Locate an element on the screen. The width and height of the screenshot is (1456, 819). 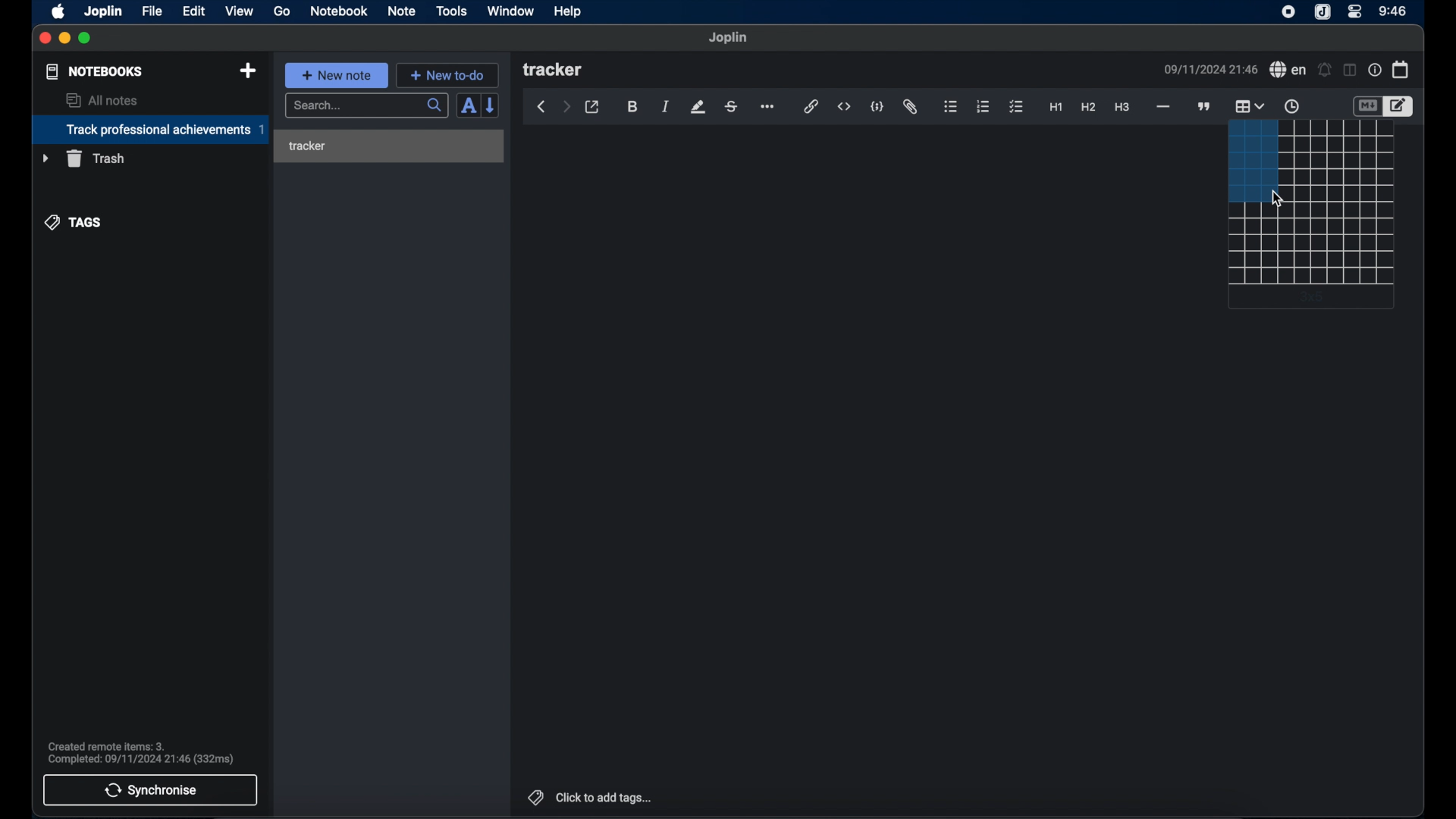
heading 1 is located at coordinates (1056, 108).